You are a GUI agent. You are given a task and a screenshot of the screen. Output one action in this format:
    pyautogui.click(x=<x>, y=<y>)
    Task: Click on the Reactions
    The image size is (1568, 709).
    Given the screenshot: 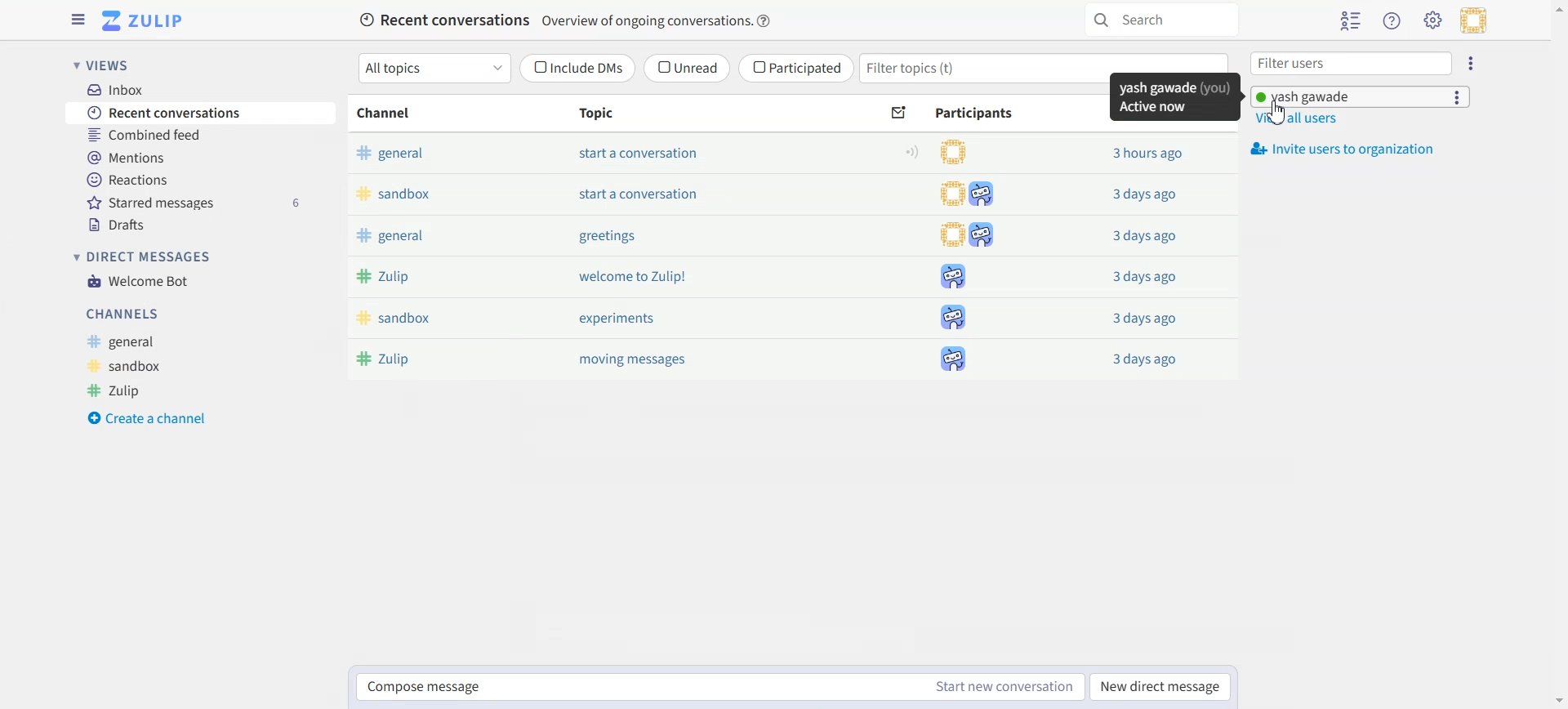 What is the action you would take?
    pyautogui.click(x=127, y=182)
    